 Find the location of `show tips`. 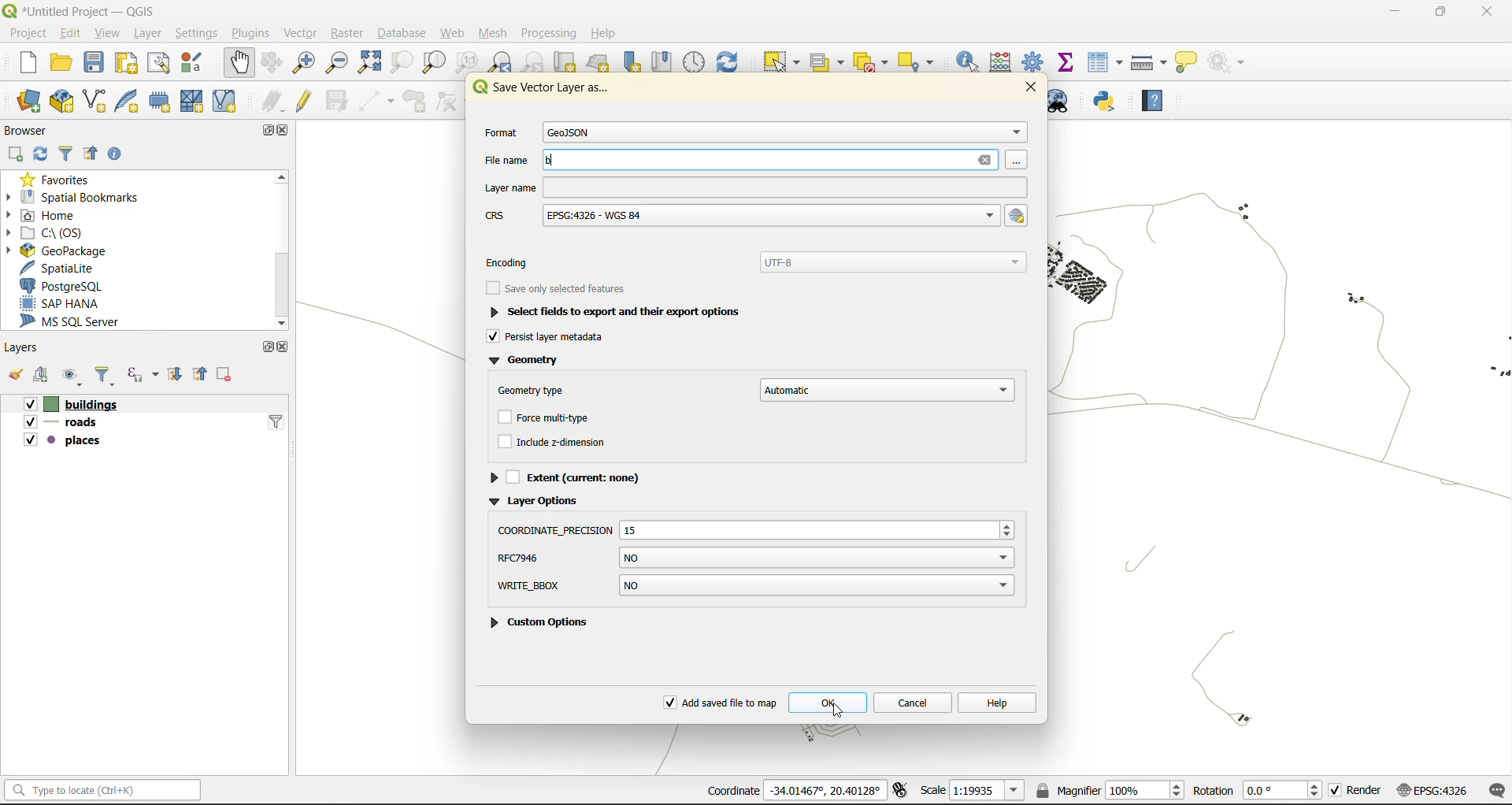

show tips is located at coordinates (1185, 64).